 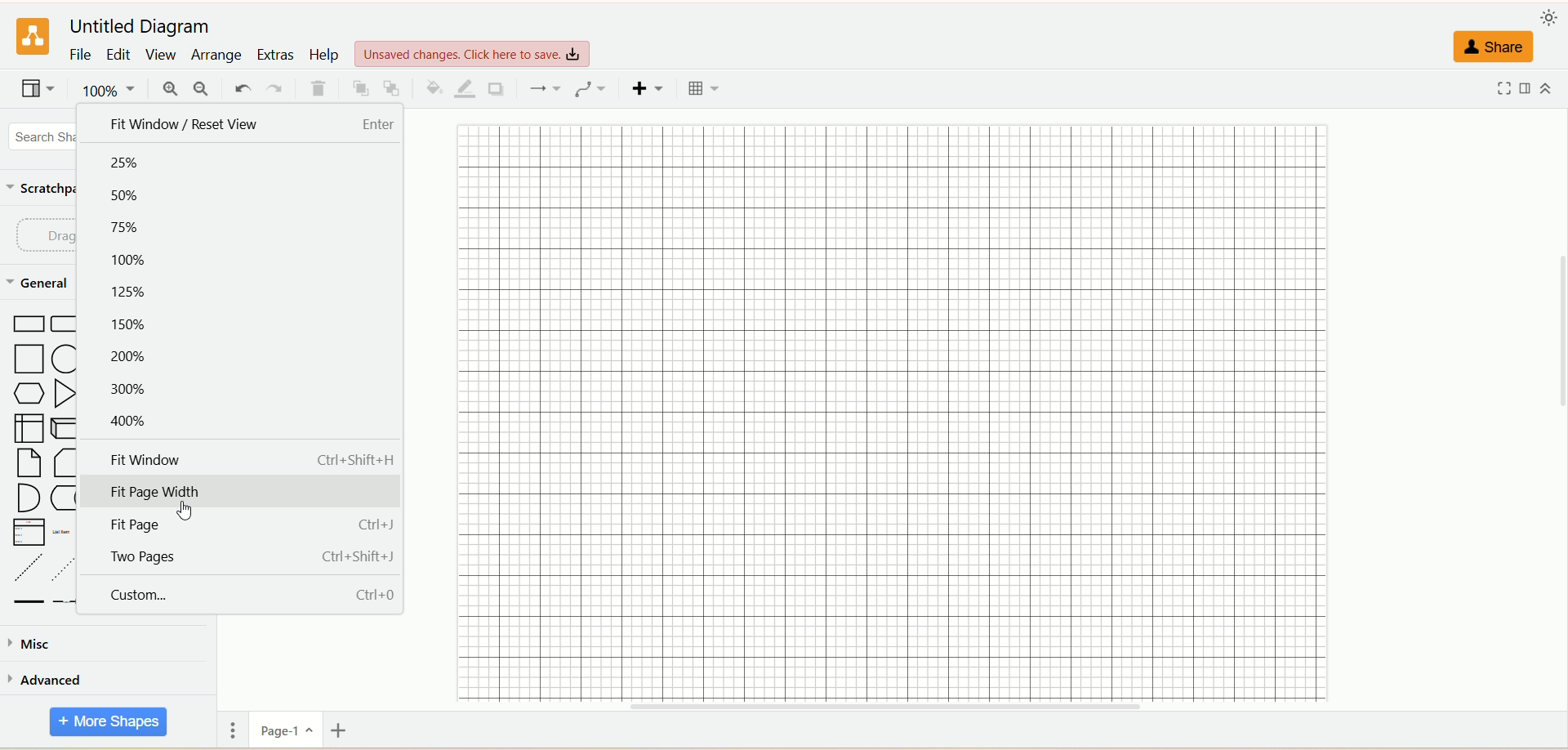 I want to click on advanced, so click(x=50, y=683).